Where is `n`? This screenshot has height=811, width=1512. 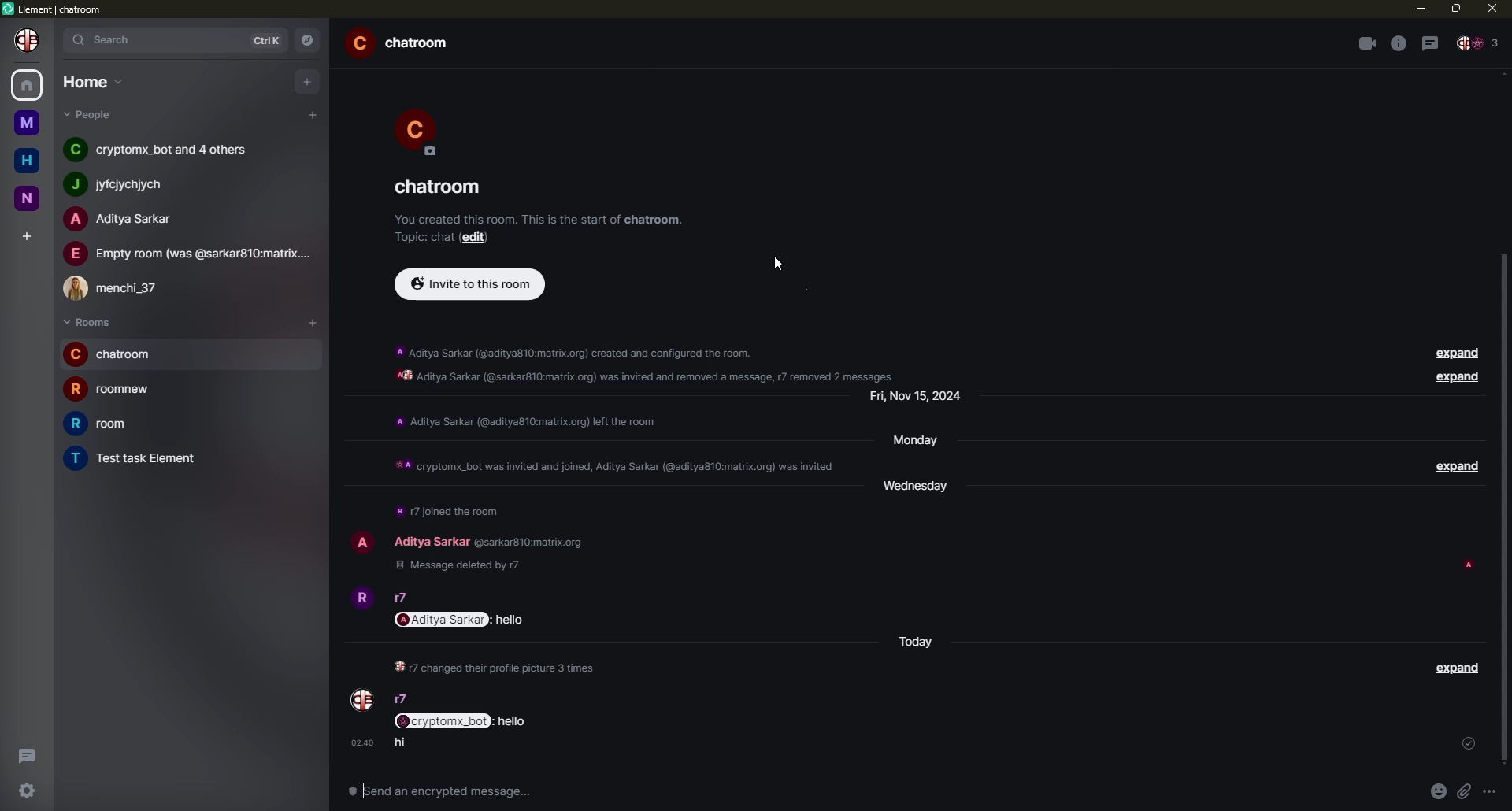
n is located at coordinates (28, 198).